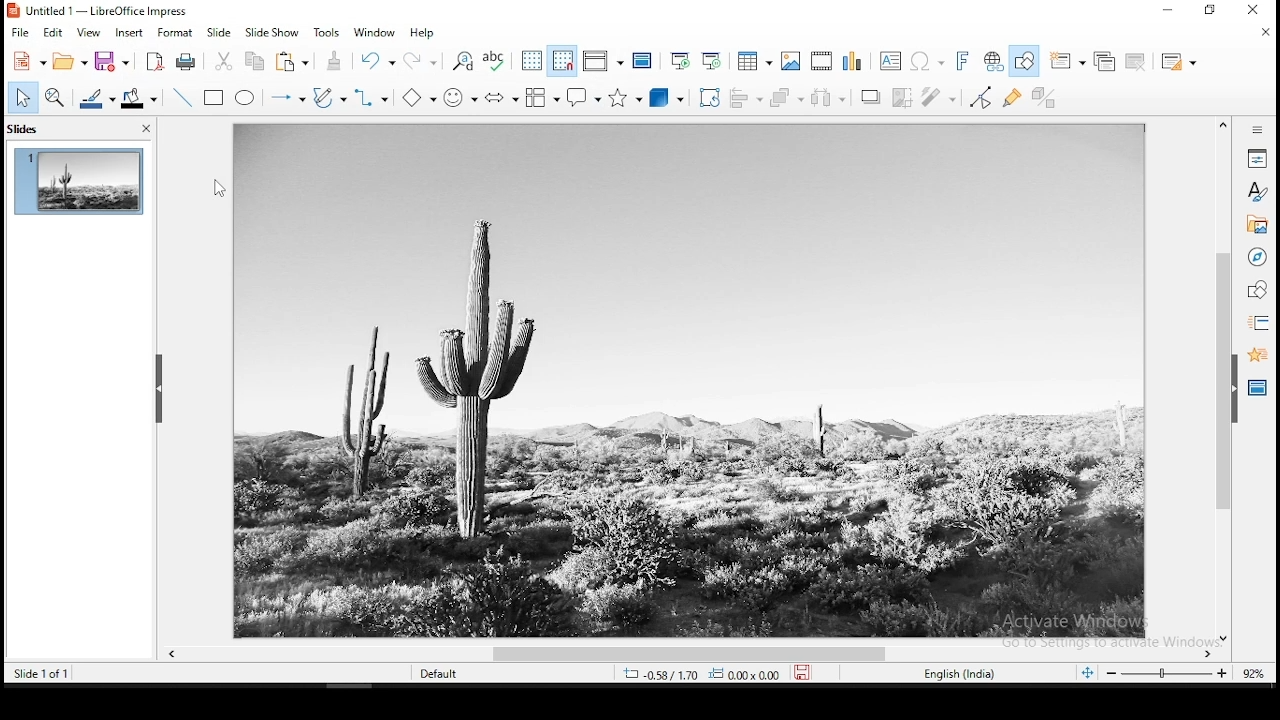 Image resolution: width=1280 pixels, height=720 pixels. I want to click on master slides, so click(1257, 388).